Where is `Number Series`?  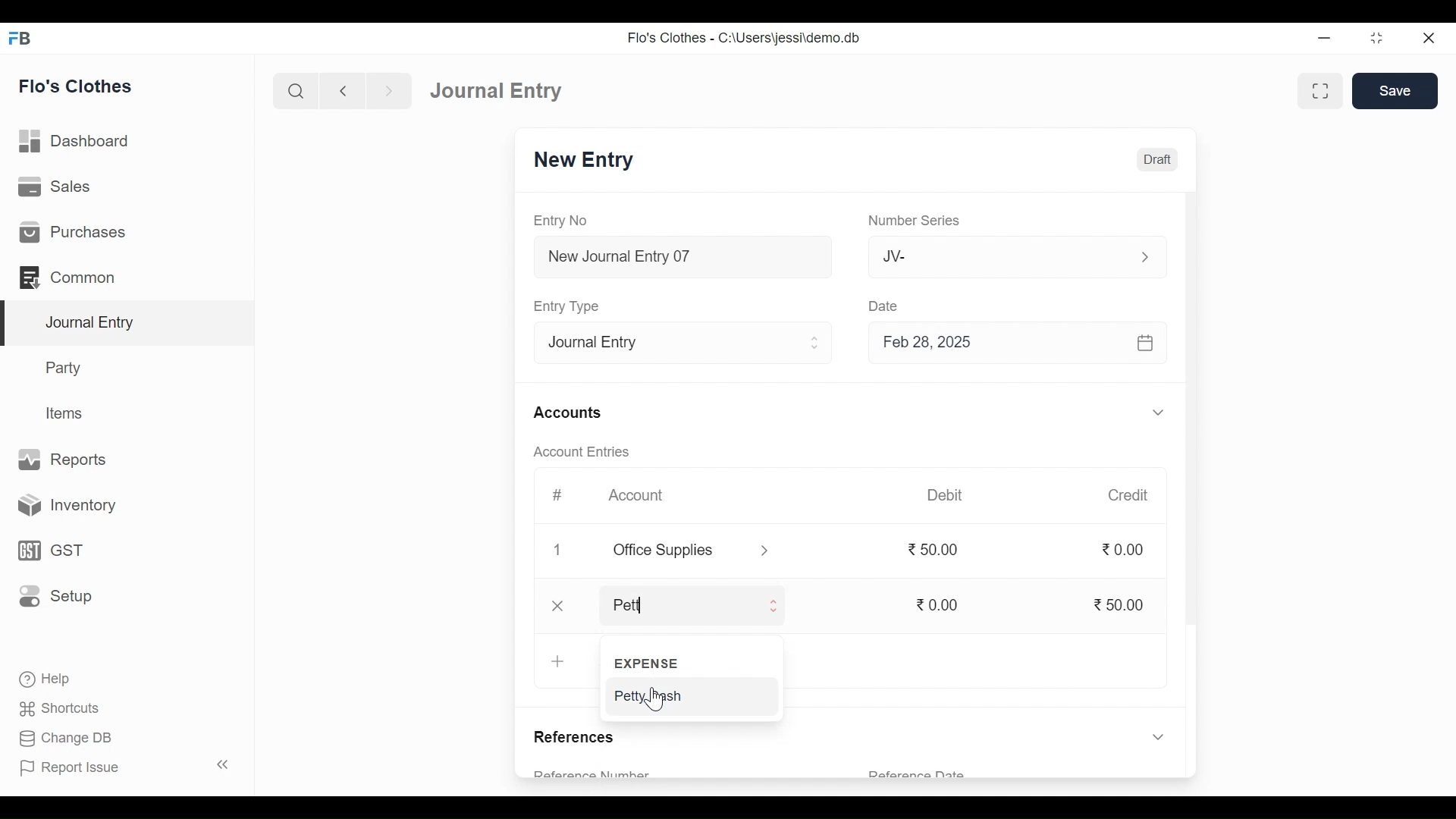
Number Series is located at coordinates (915, 221).